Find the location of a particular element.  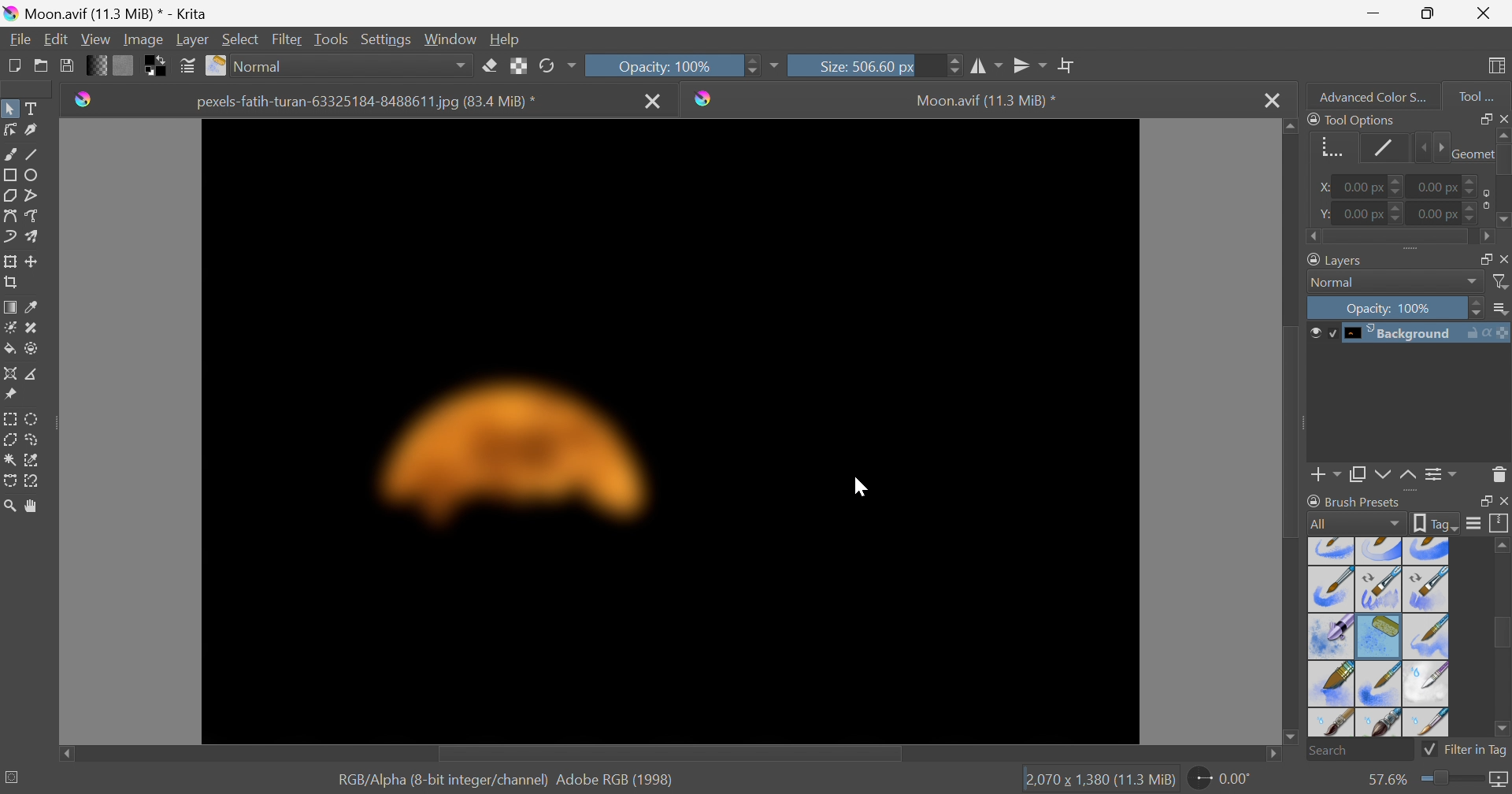

Next is located at coordinates (1438, 147).